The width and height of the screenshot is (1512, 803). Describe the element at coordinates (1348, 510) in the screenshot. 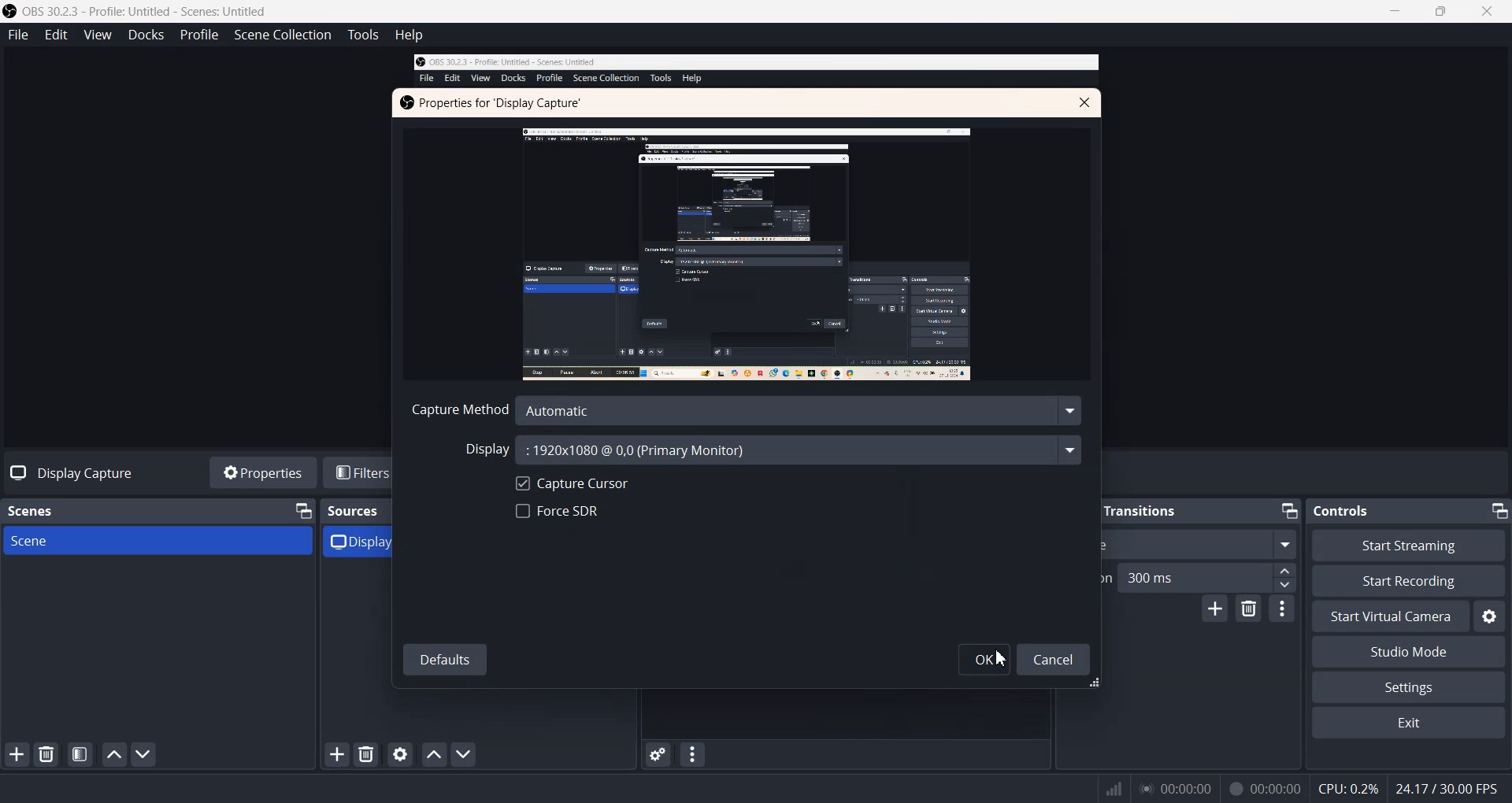

I see `Controls` at that location.